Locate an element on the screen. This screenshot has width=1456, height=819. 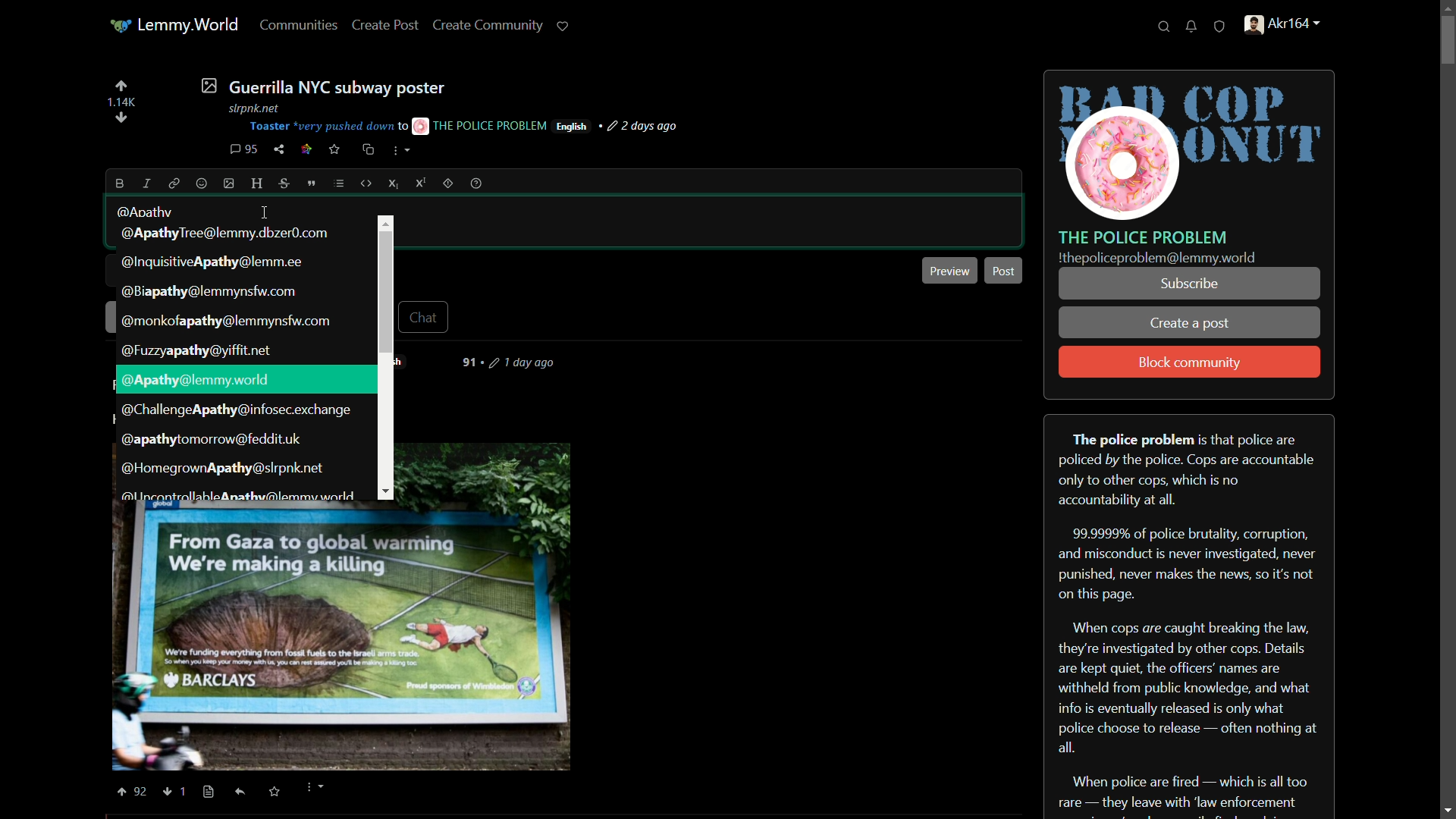
block community is located at coordinates (1190, 363).